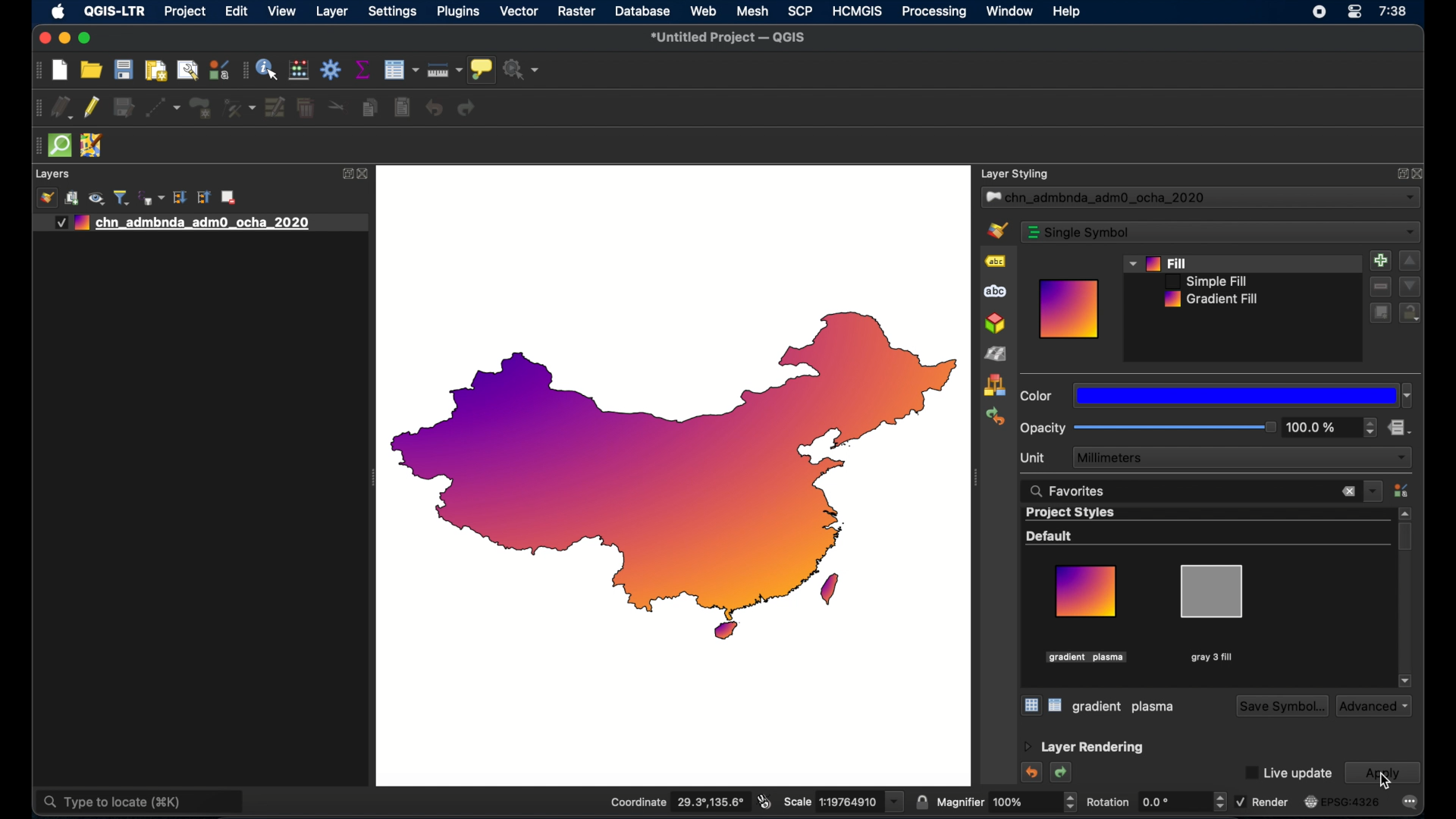 The image size is (1456, 819). What do you see at coordinates (1401, 490) in the screenshot?
I see `style manager` at bounding box center [1401, 490].